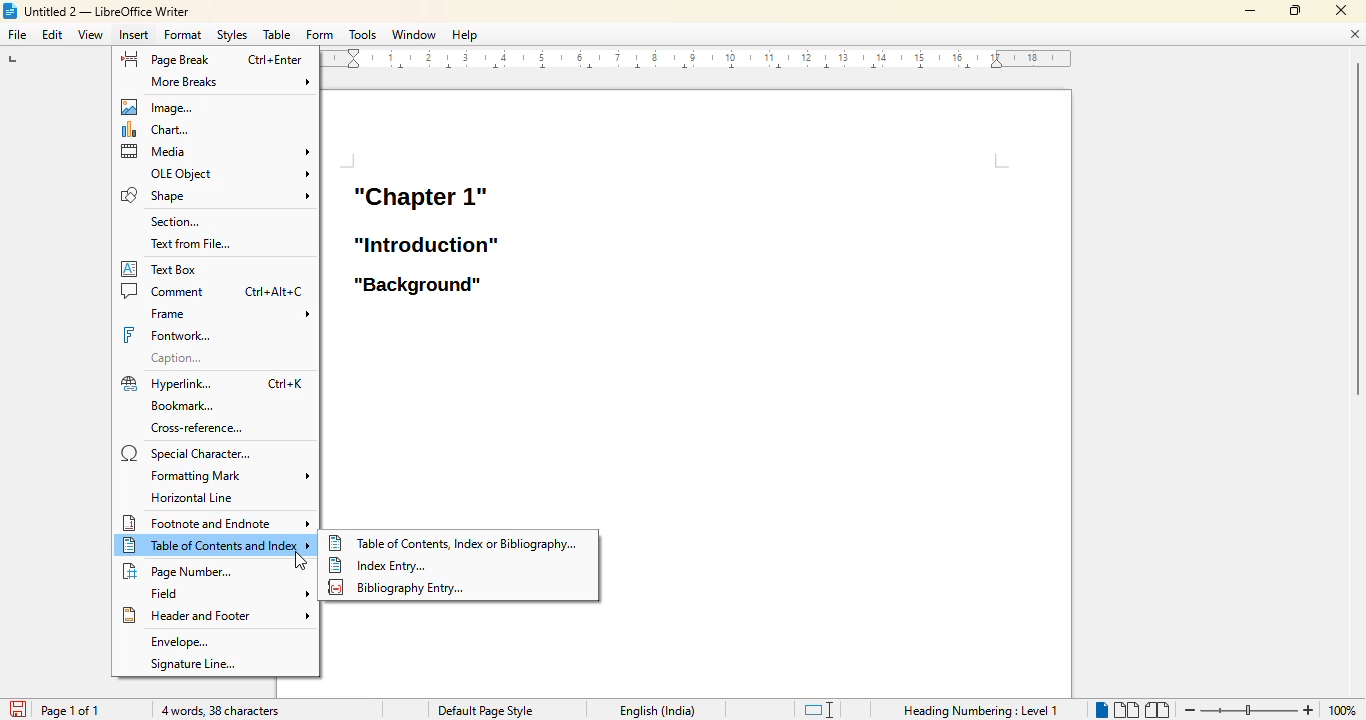 The width and height of the screenshot is (1366, 720). What do you see at coordinates (1097, 708) in the screenshot?
I see `view single page` at bounding box center [1097, 708].